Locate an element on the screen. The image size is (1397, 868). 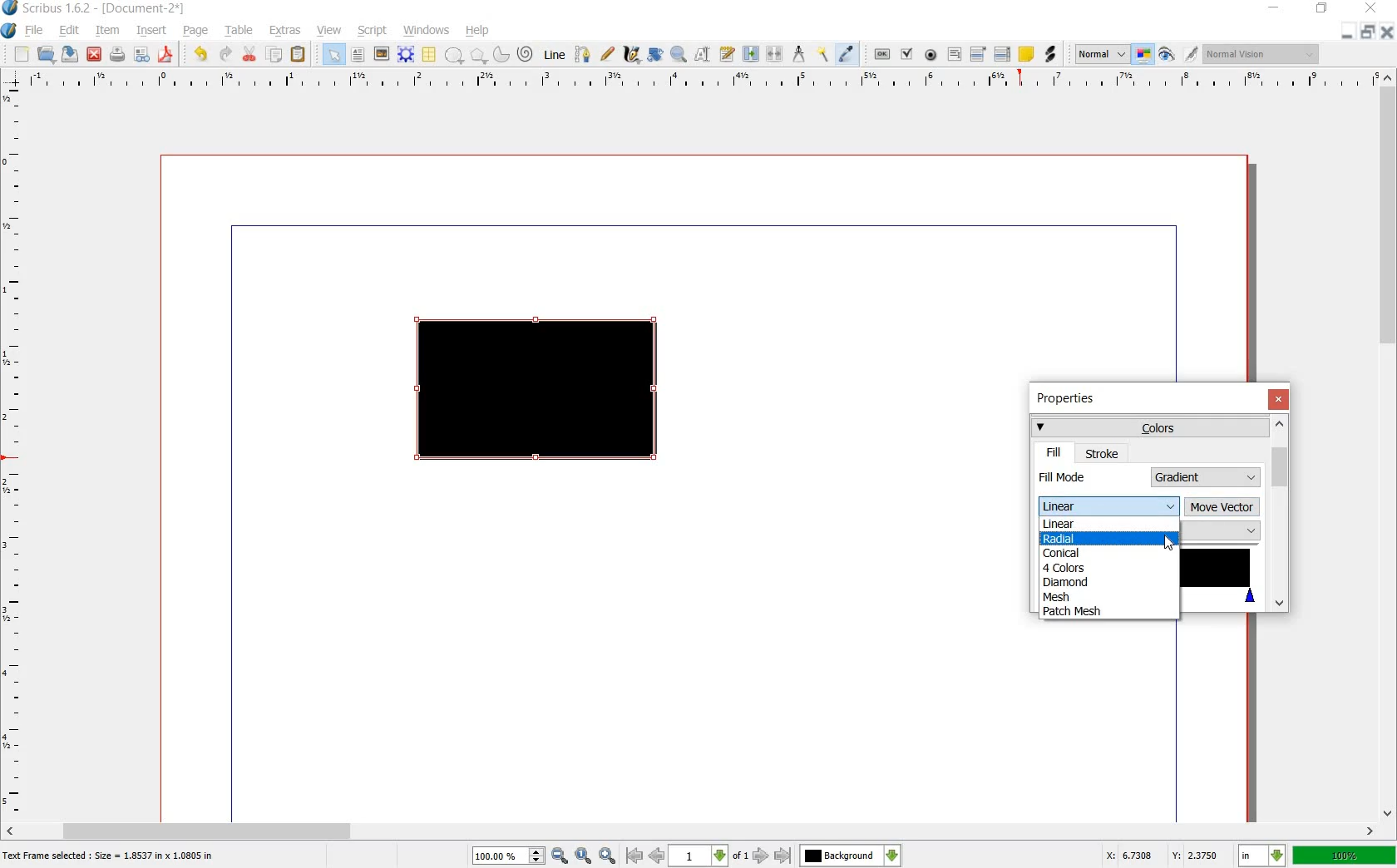
edit contents of frame is located at coordinates (703, 55).